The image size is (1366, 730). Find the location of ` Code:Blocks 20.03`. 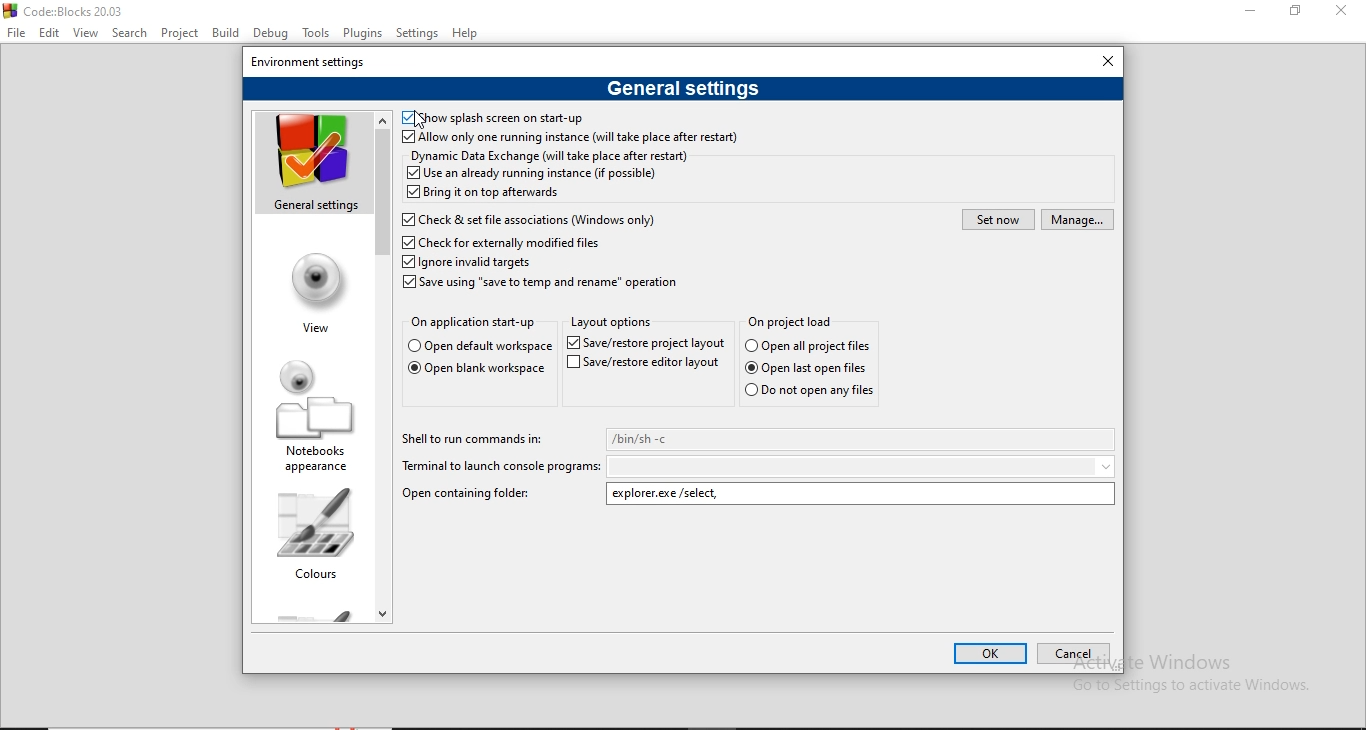

 Code:Blocks 20.03 is located at coordinates (72, 9).